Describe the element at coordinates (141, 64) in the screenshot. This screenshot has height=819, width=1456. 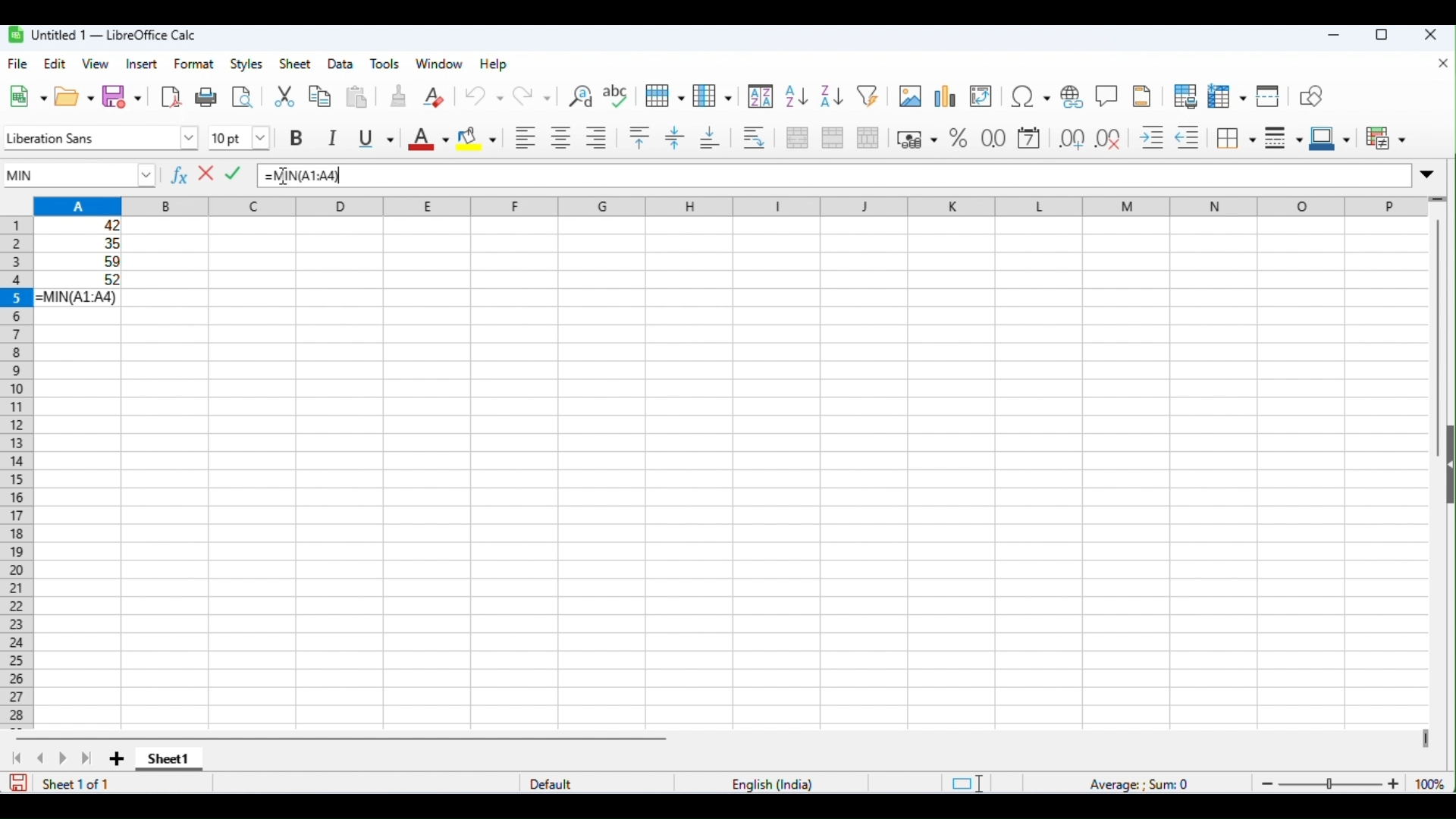
I see `insert` at that location.